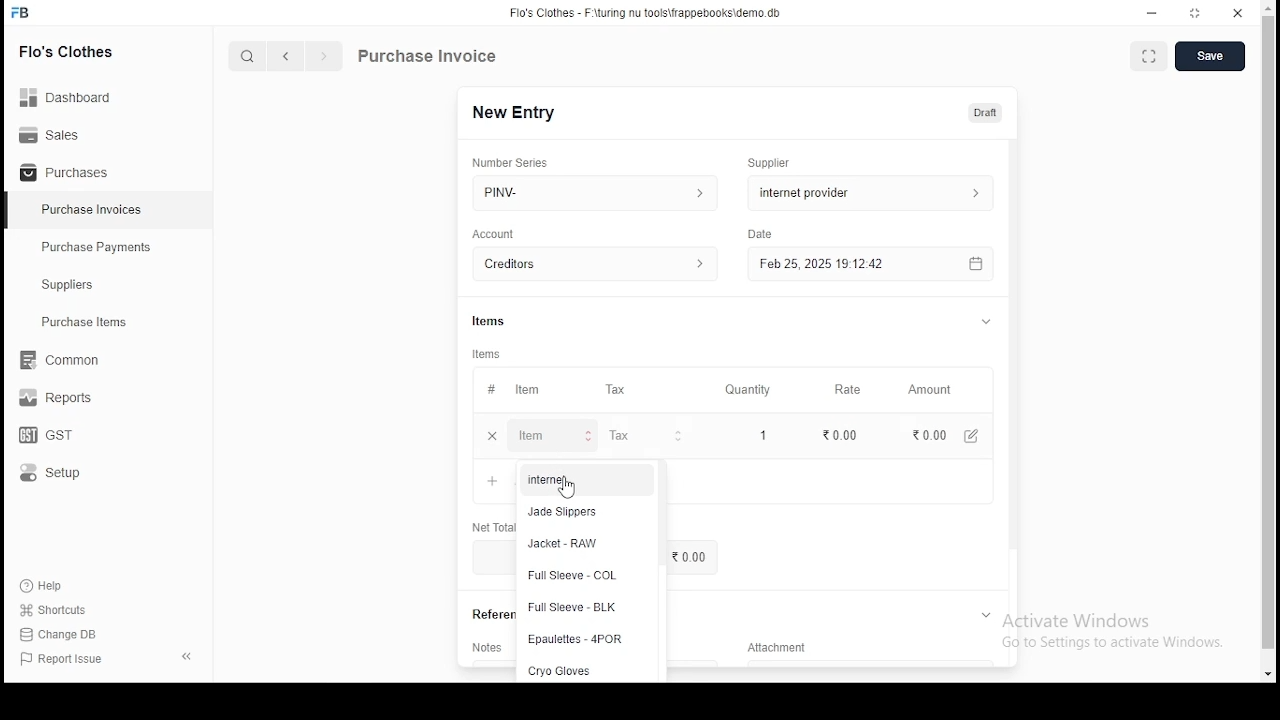  What do you see at coordinates (843, 434) in the screenshot?
I see `0.00` at bounding box center [843, 434].